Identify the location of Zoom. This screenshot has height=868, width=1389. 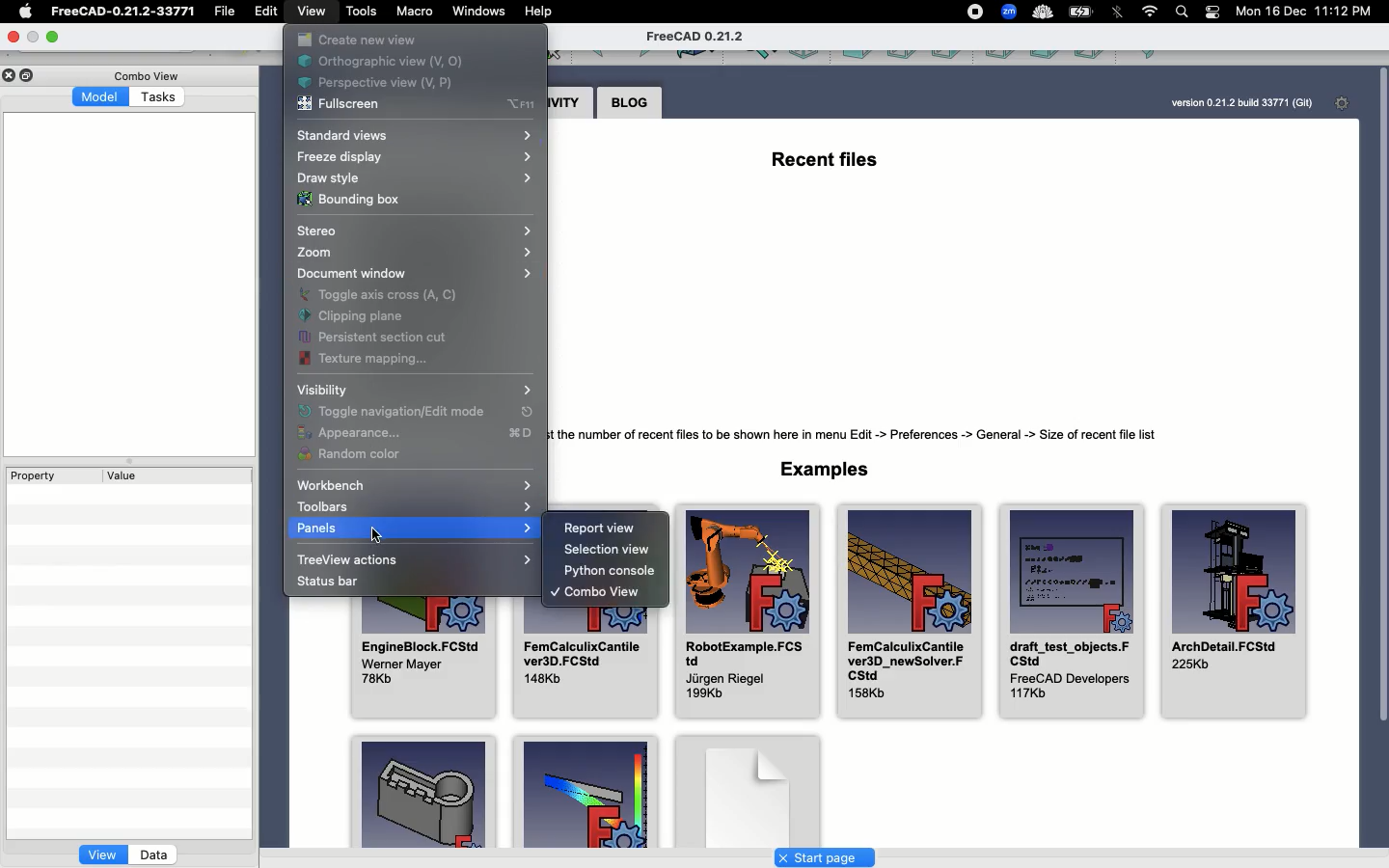
(412, 253).